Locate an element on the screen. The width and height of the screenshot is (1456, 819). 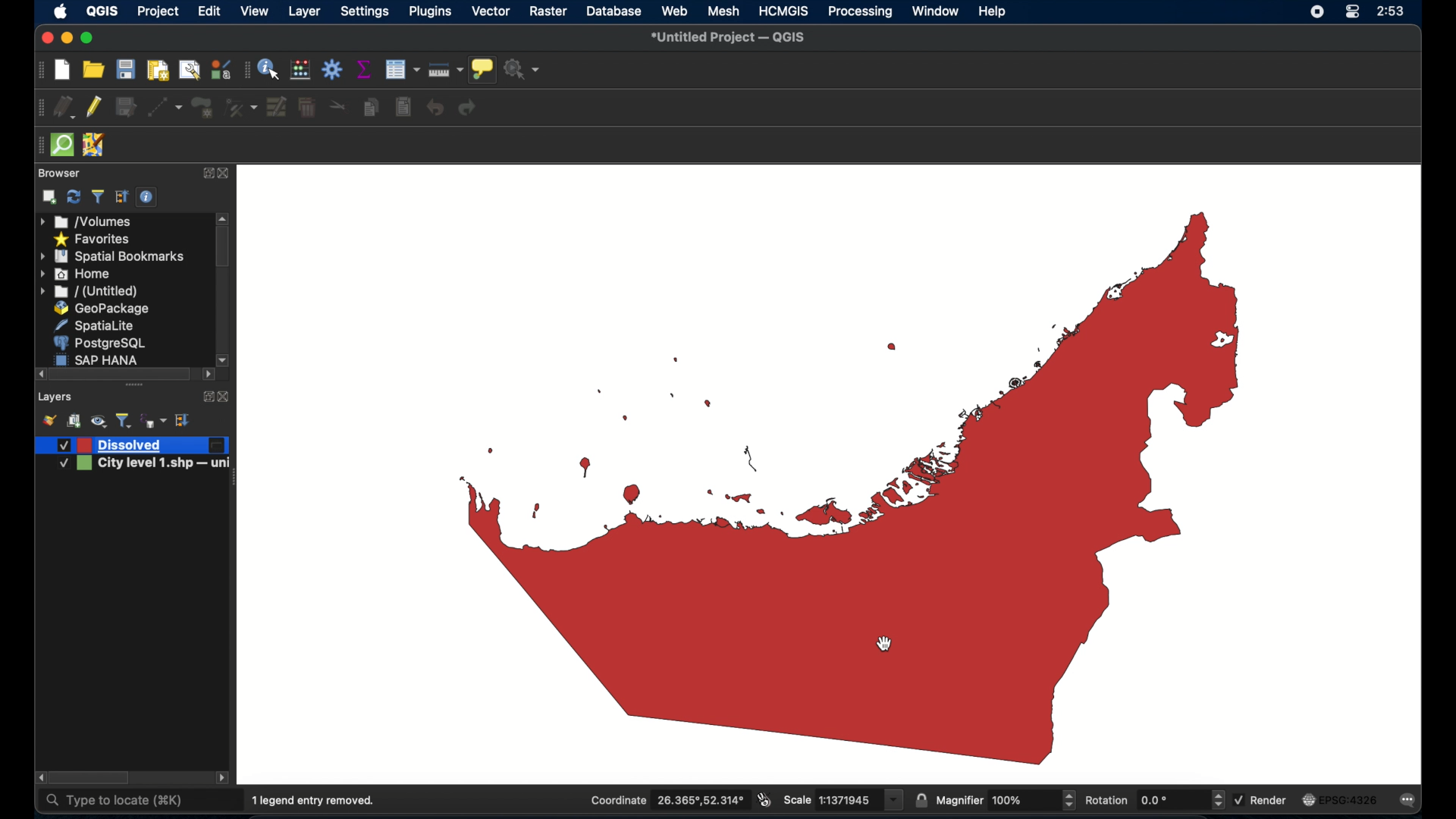
favorites is located at coordinates (93, 240).